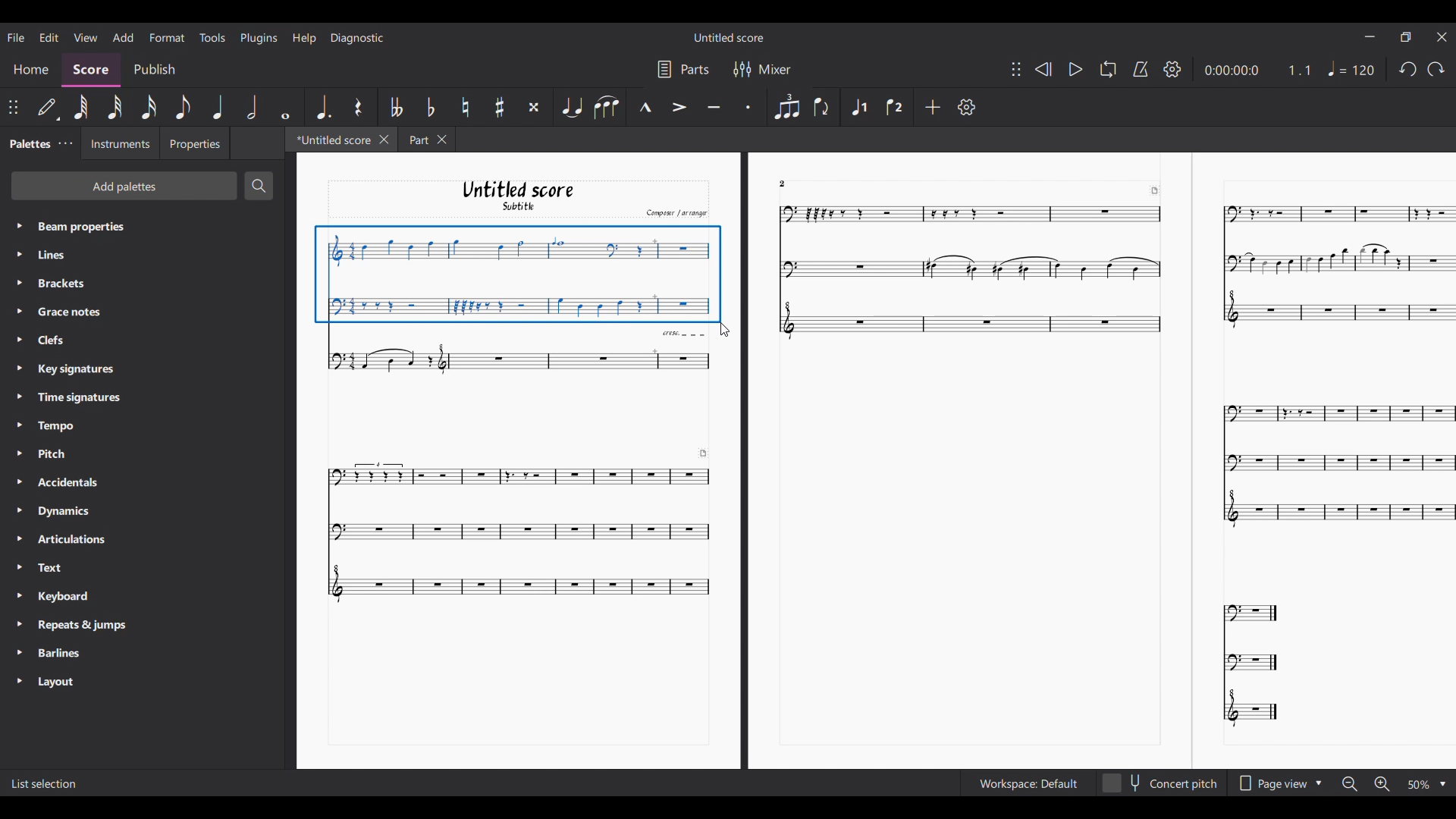 Image resolution: width=1456 pixels, height=819 pixels. Describe the element at coordinates (18, 457) in the screenshot. I see `` at that location.